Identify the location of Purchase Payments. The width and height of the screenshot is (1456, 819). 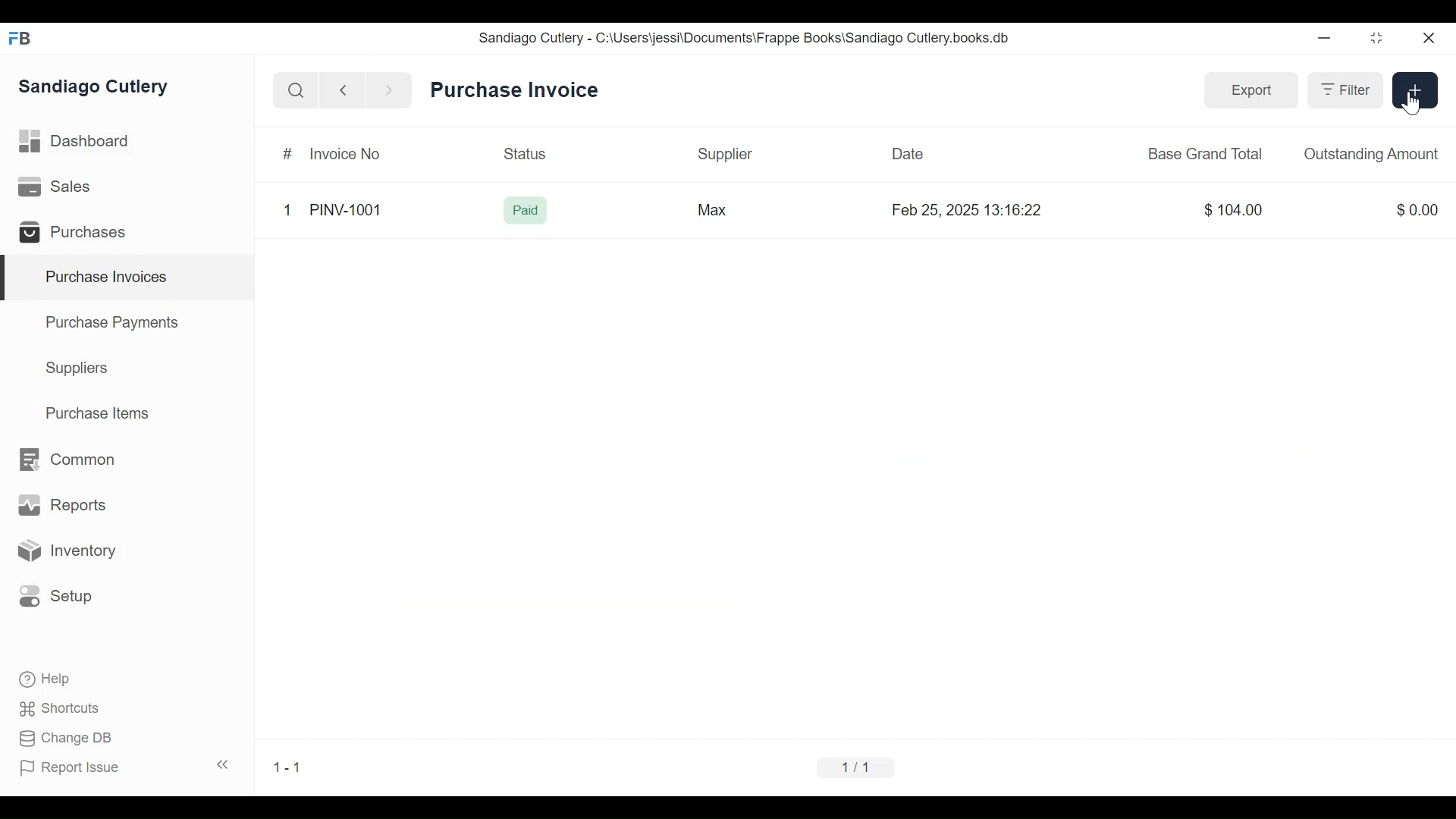
(115, 325).